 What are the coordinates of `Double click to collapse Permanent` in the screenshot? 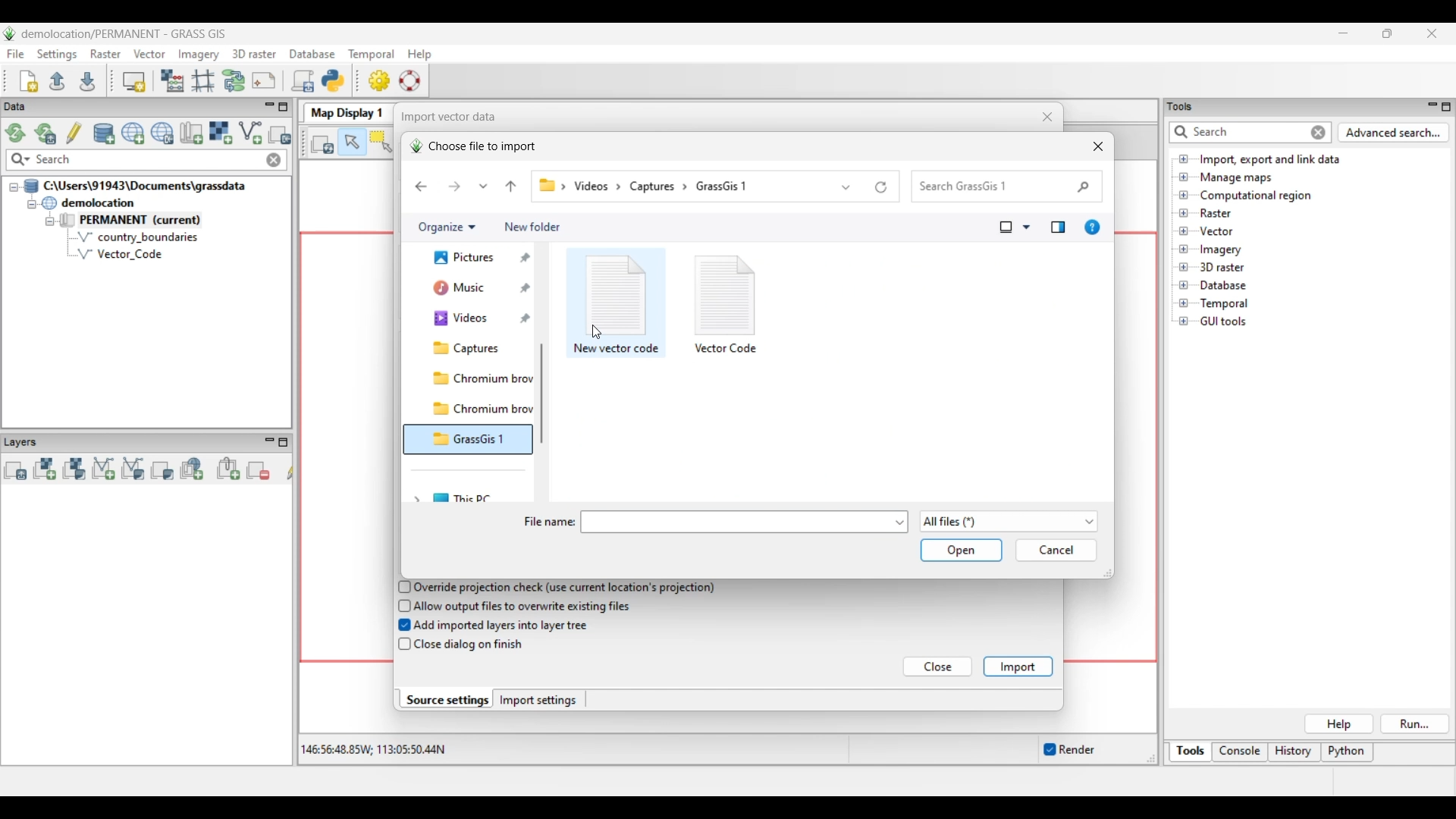 It's located at (151, 221).